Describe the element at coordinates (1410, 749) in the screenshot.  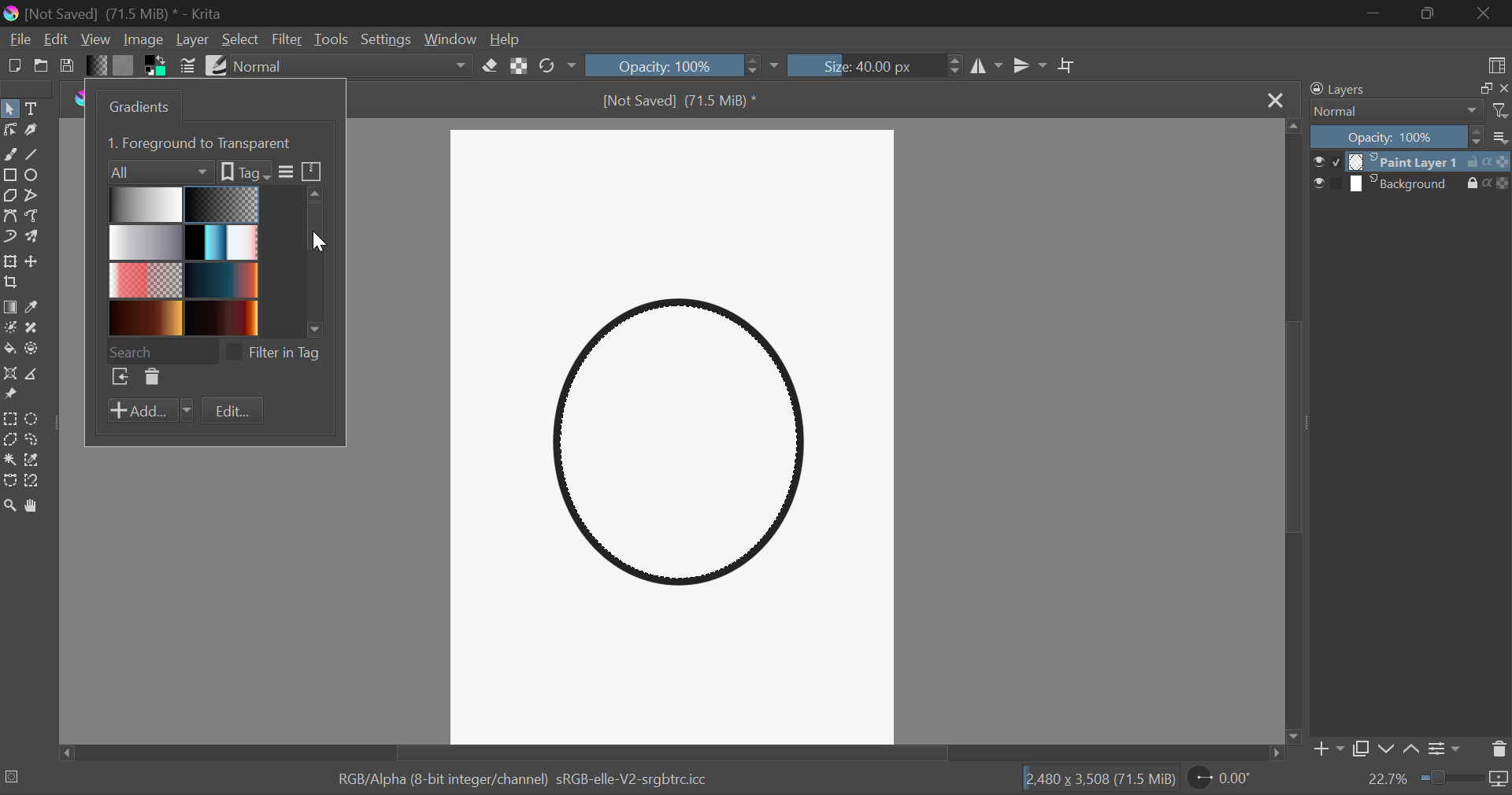
I see `Move layer up` at that location.